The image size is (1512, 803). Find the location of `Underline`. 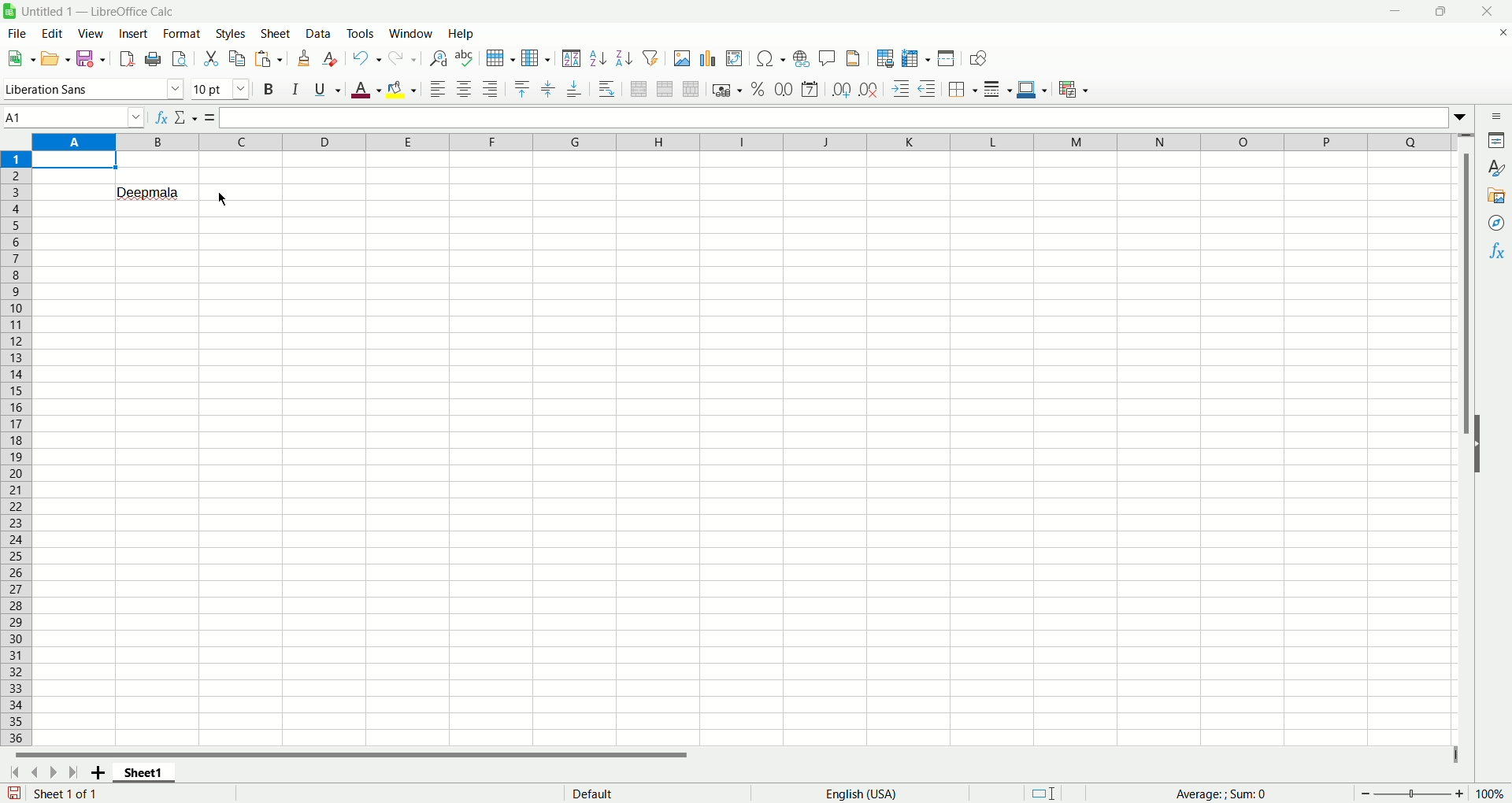

Underline is located at coordinates (328, 89).